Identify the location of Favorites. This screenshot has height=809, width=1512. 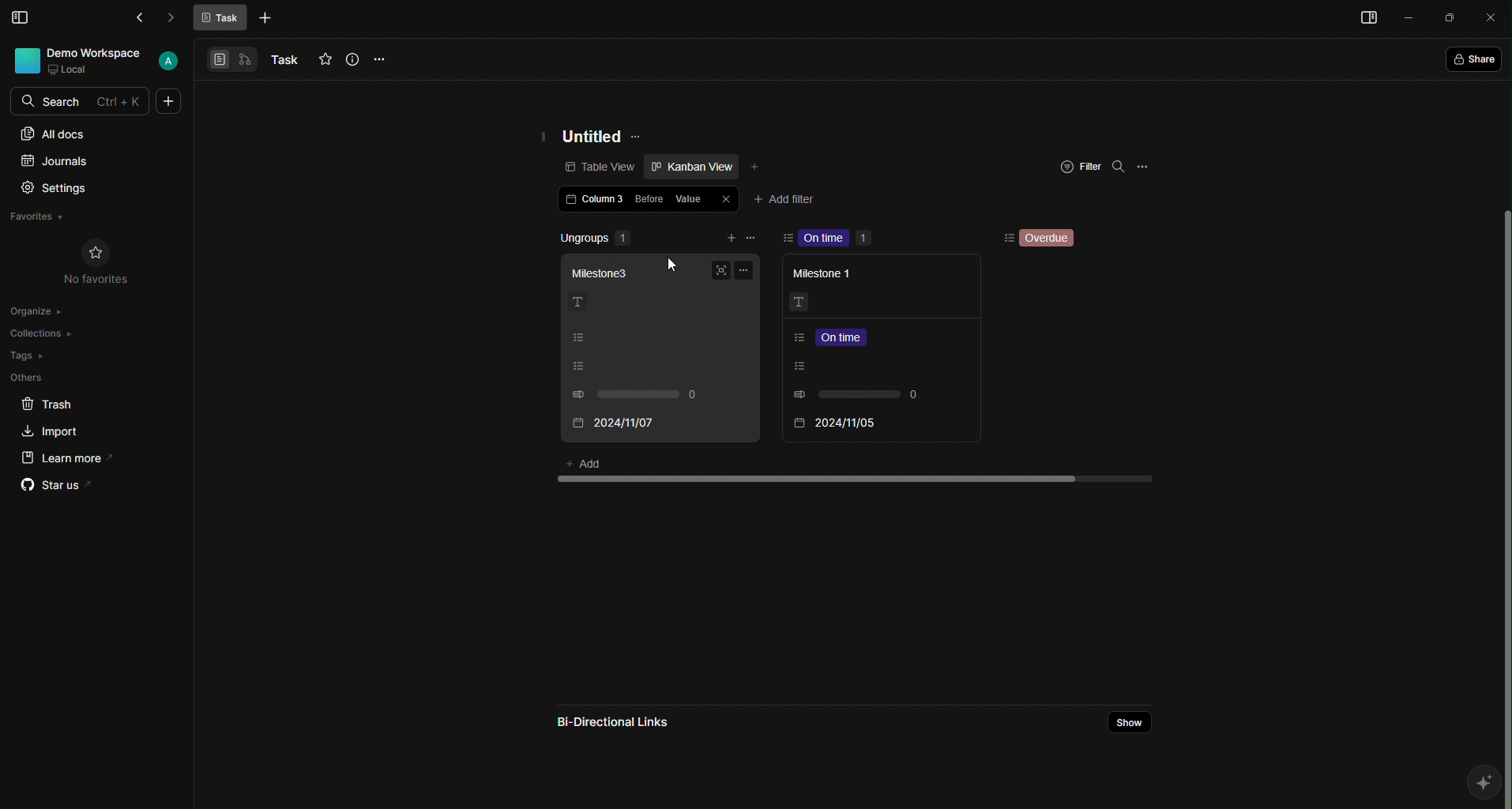
(39, 216).